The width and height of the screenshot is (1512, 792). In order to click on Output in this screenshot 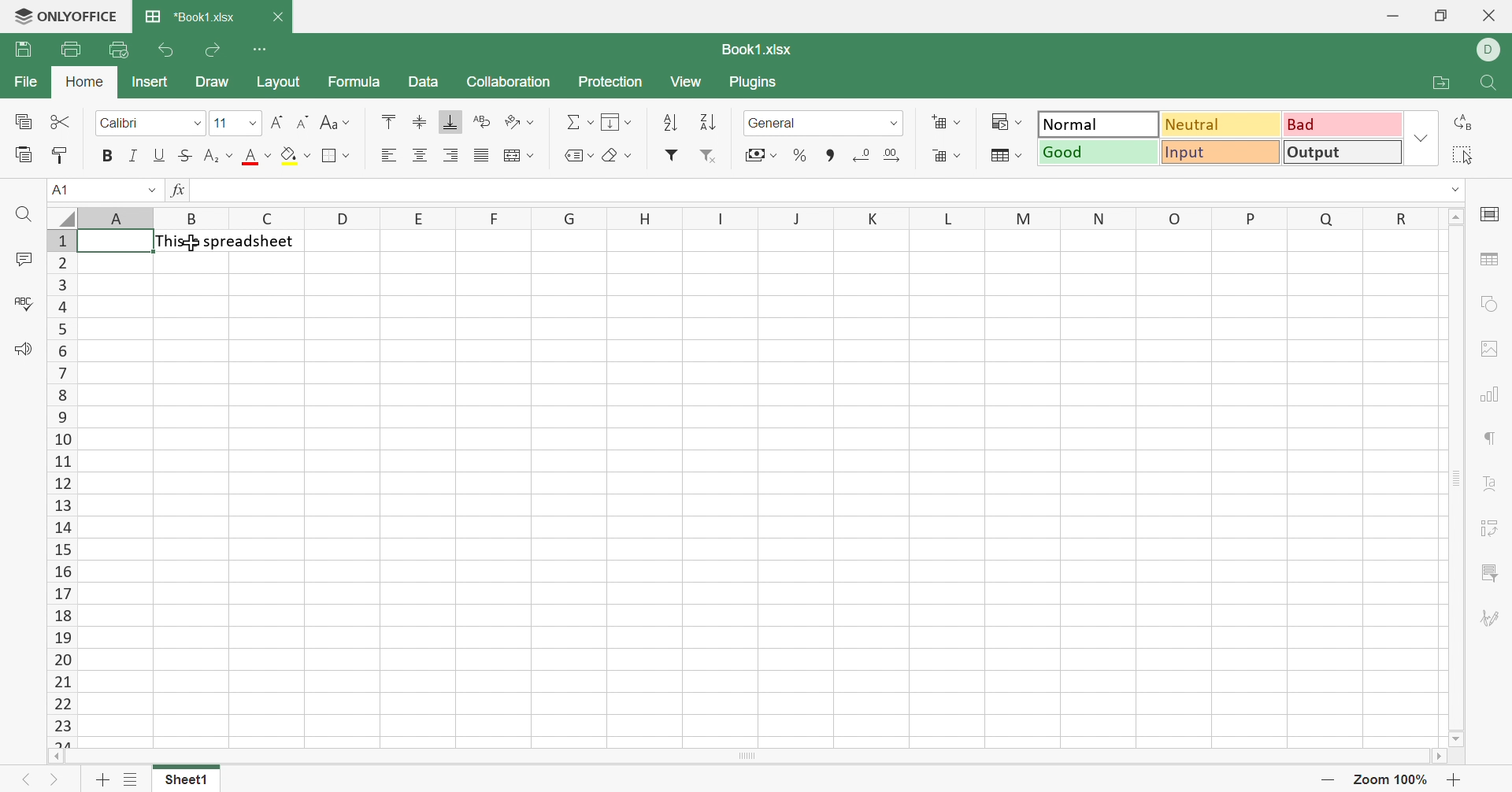, I will do `click(1344, 152)`.